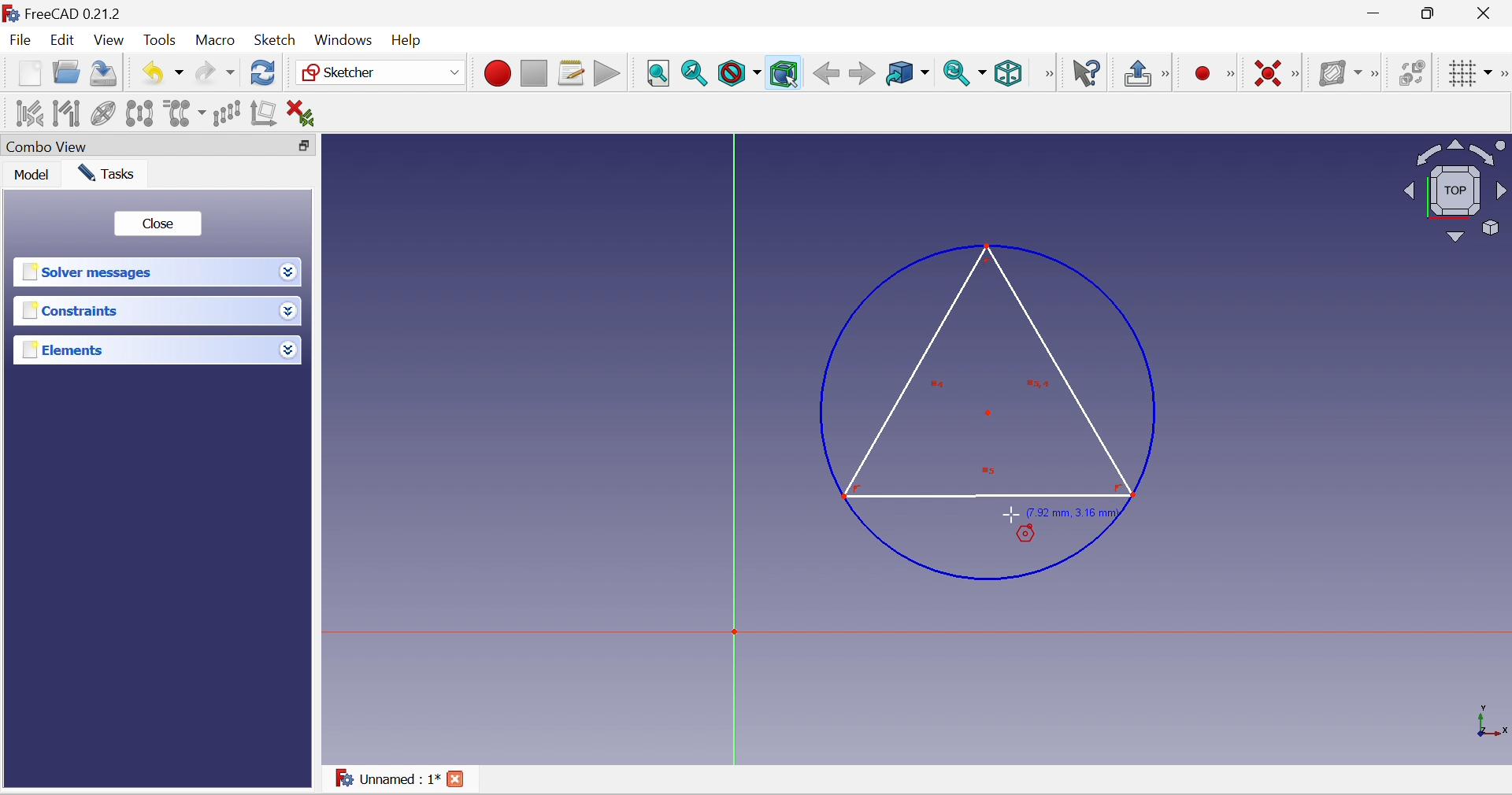 This screenshot has height=795, width=1512. What do you see at coordinates (275, 40) in the screenshot?
I see `Sketch` at bounding box center [275, 40].